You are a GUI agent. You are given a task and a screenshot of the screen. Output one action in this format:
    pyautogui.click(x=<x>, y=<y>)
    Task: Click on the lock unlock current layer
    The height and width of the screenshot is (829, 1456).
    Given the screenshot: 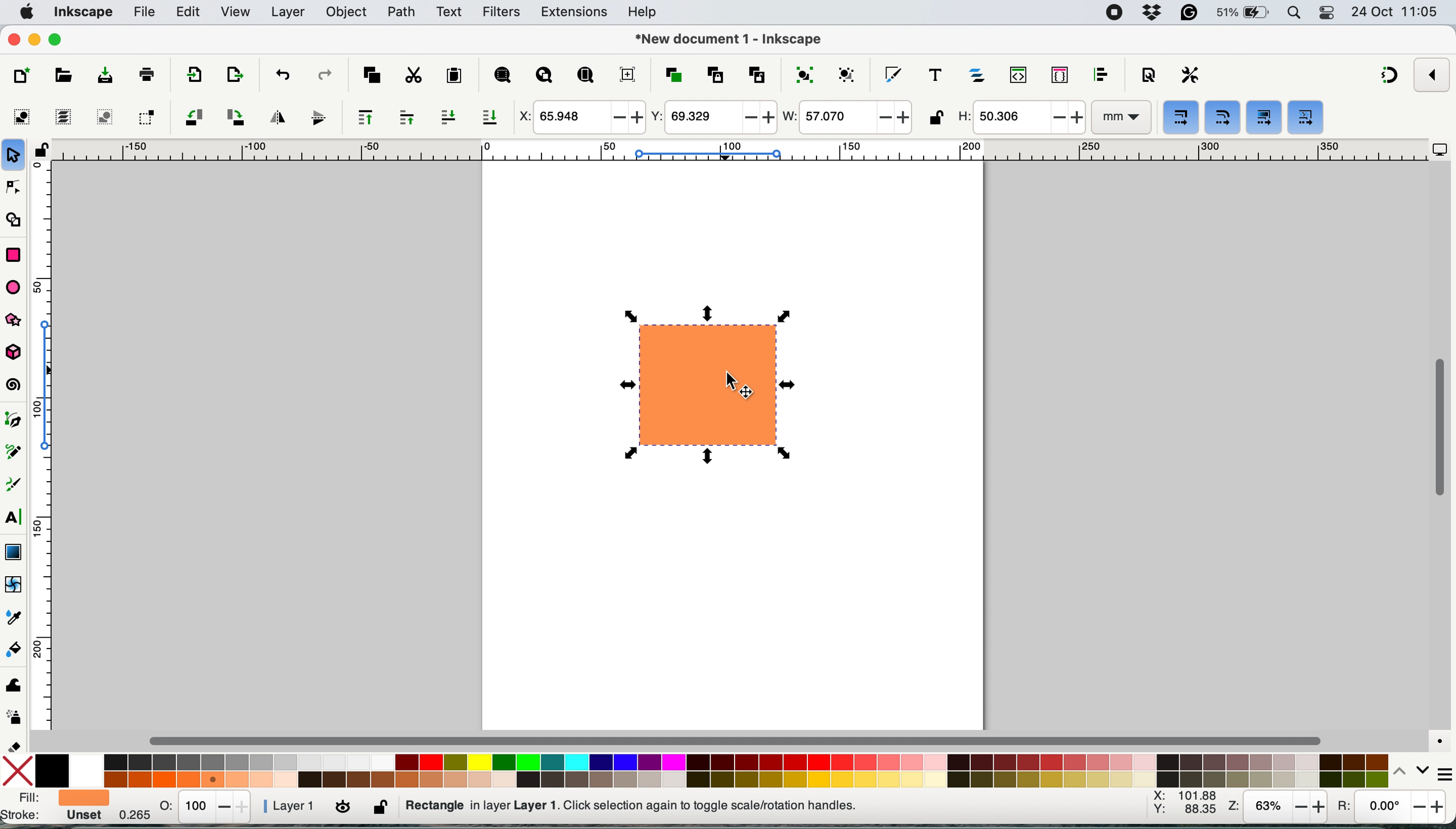 What is the action you would take?
    pyautogui.click(x=383, y=810)
    